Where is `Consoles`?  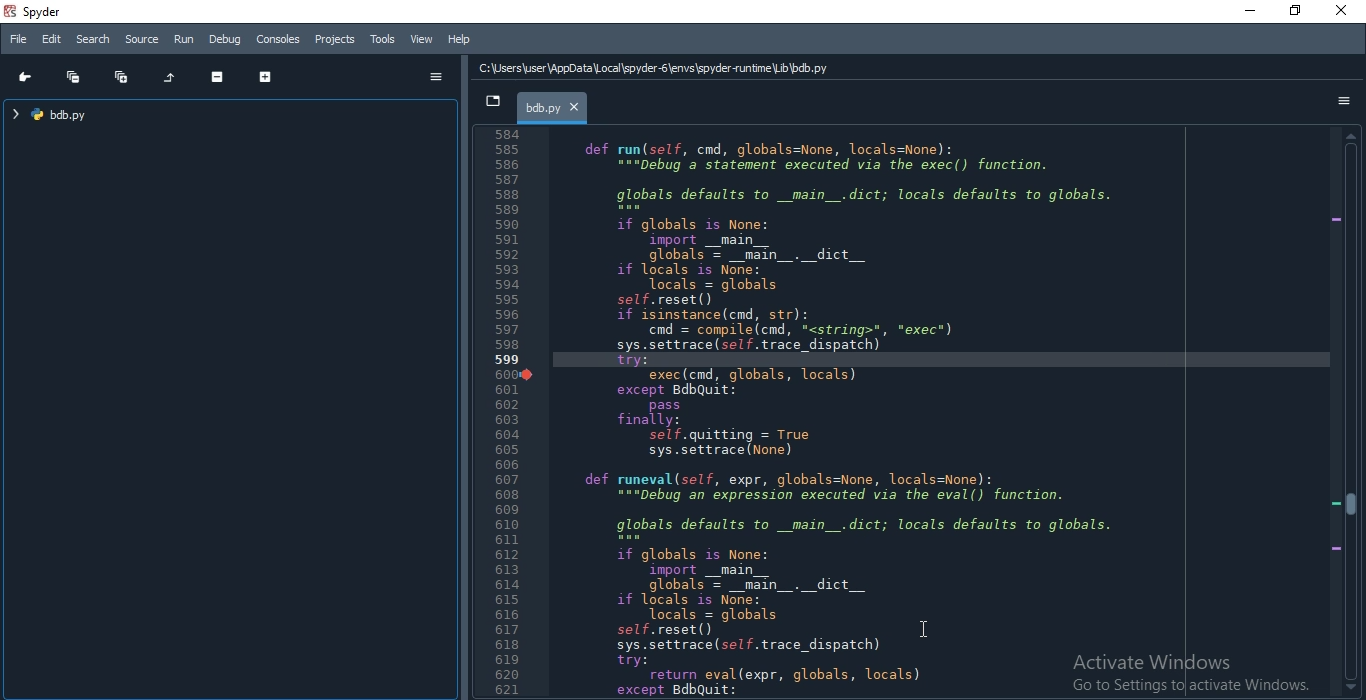 Consoles is located at coordinates (279, 38).